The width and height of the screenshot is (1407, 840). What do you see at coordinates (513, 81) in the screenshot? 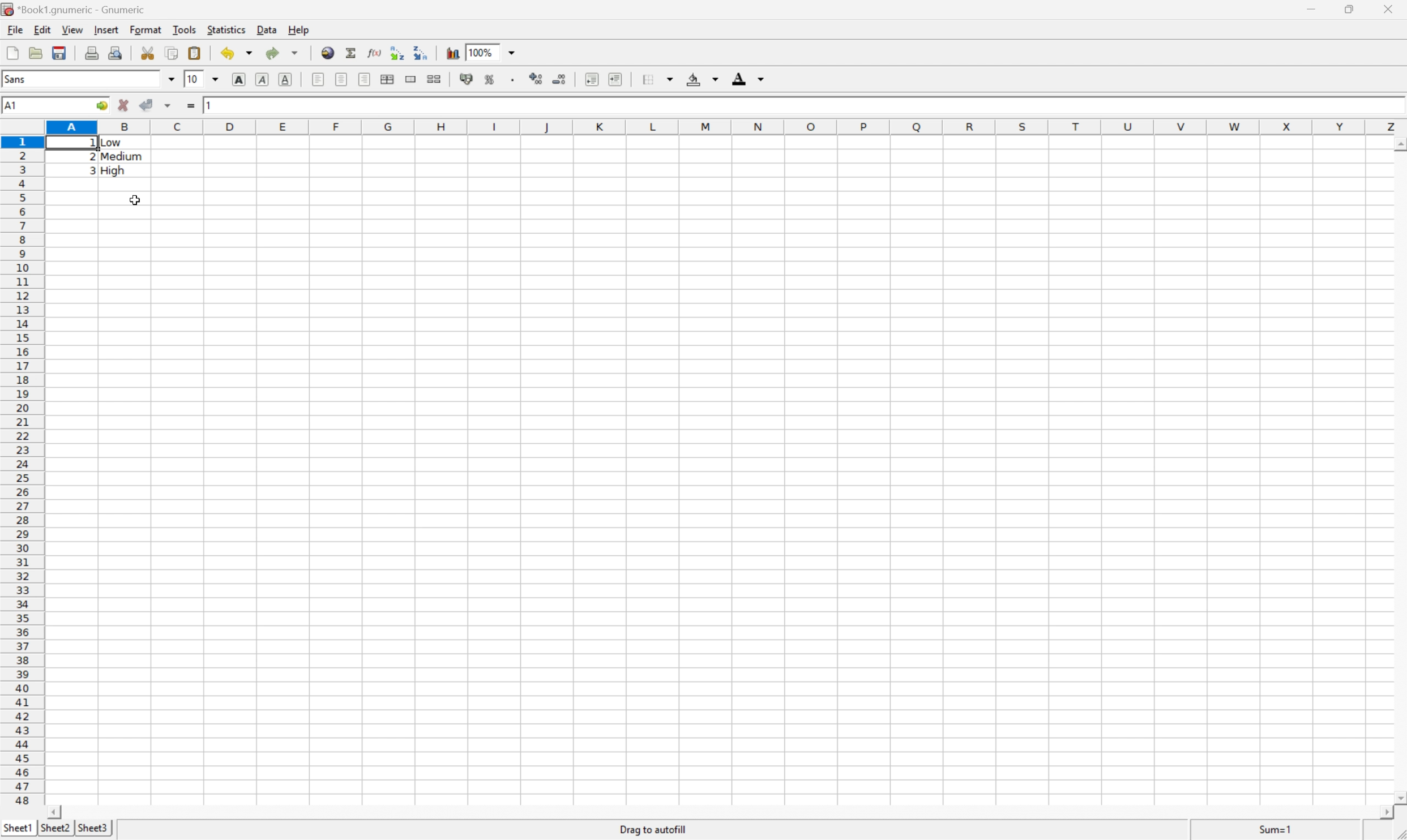
I see `Set the format of the selected cells to include a thousands separator` at bounding box center [513, 81].